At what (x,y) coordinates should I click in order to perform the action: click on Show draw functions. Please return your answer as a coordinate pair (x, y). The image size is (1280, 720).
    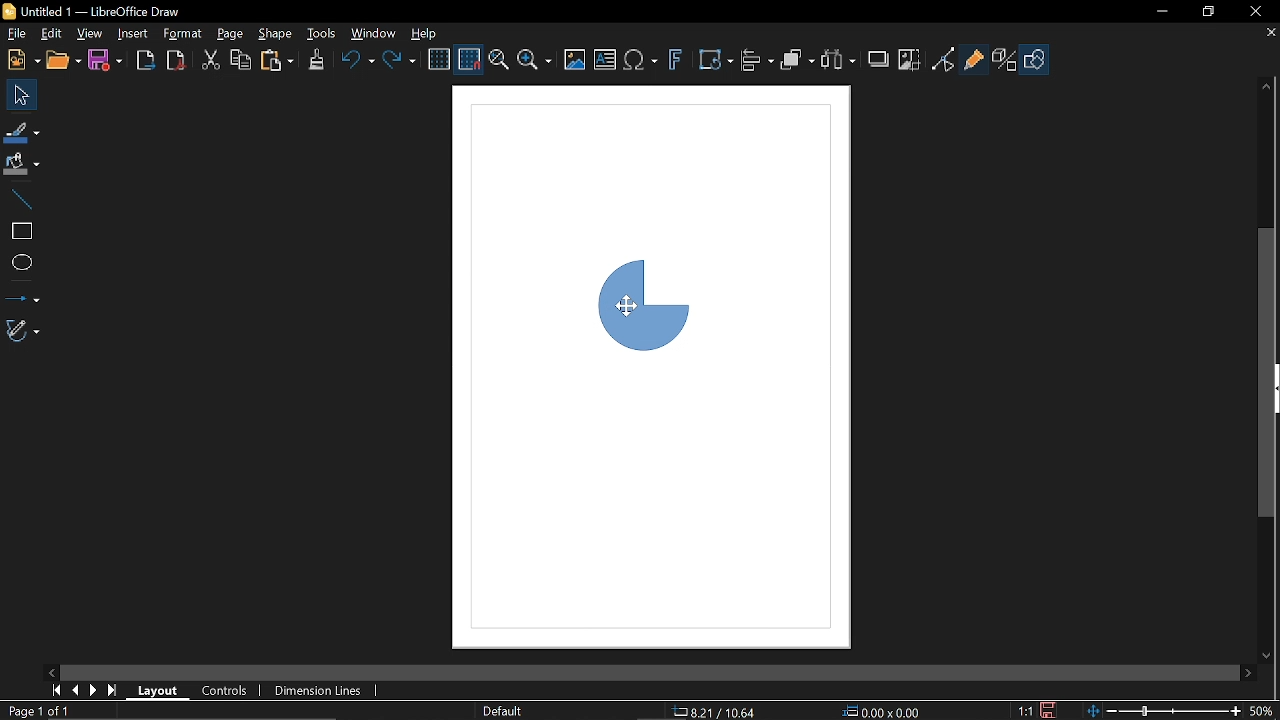
    Looking at the image, I should click on (1034, 59).